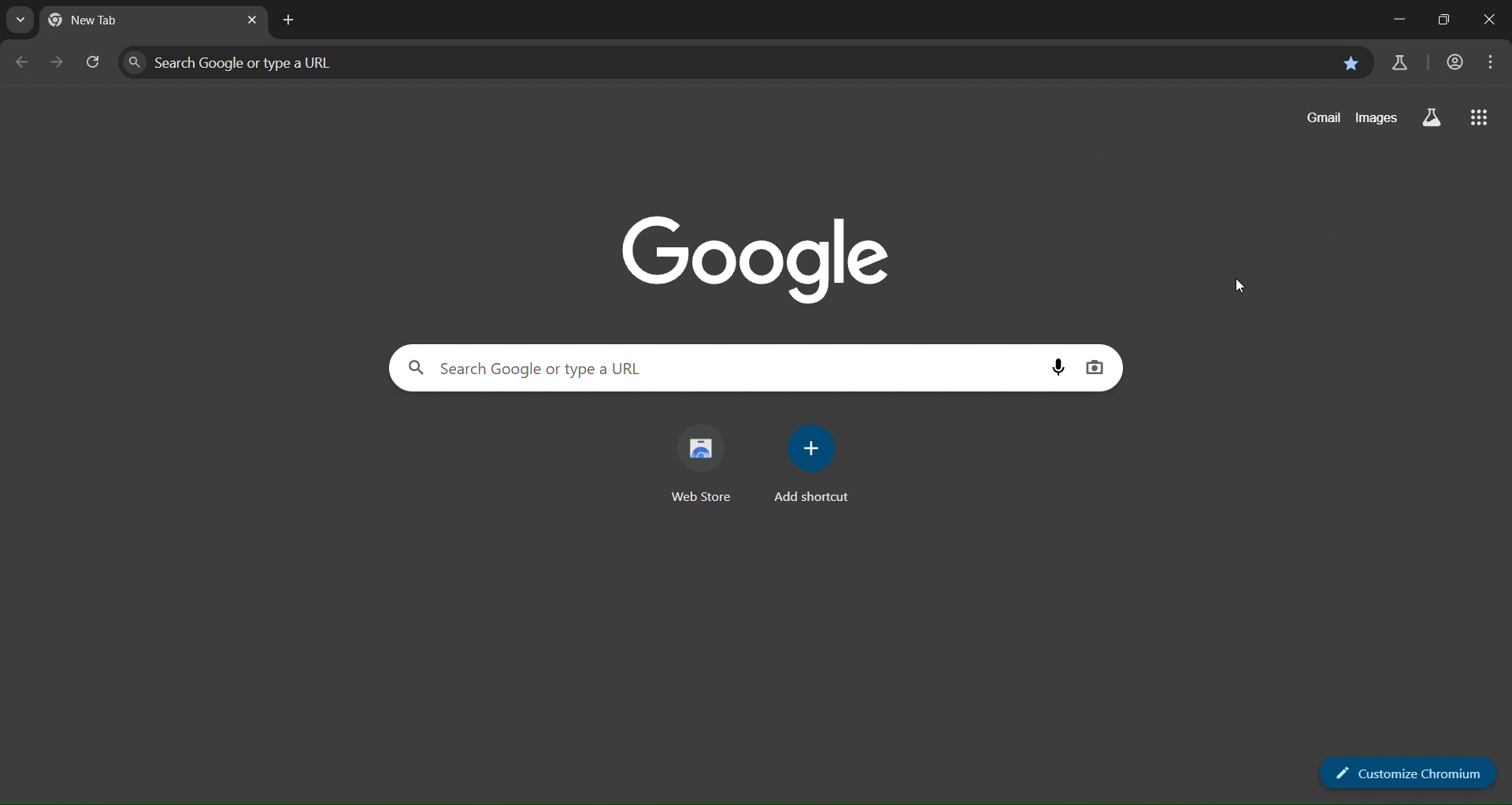 This screenshot has height=805, width=1512. I want to click on close, so click(1488, 17).